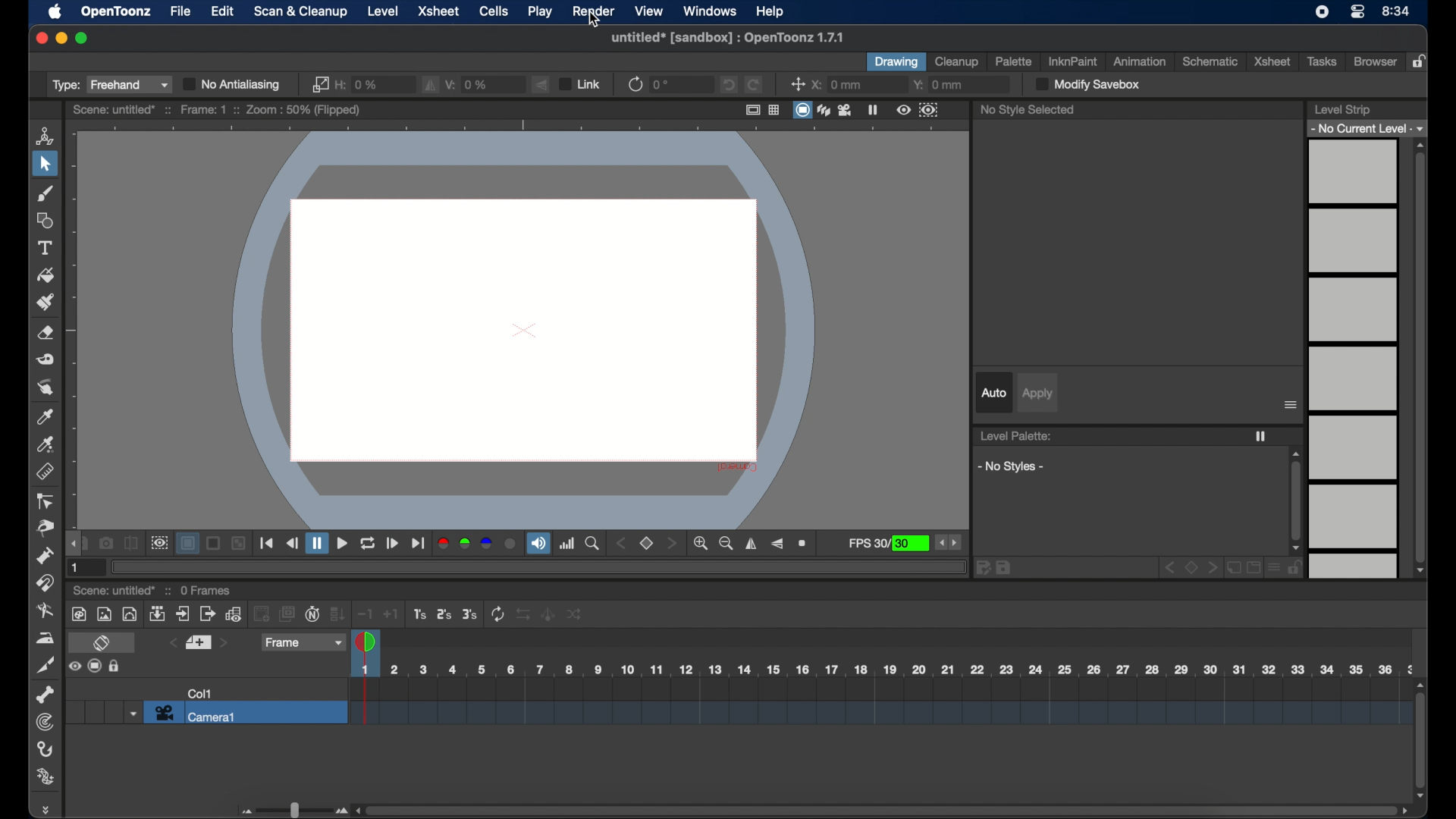 The width and height of the screenshot is (1456, 819). What do you see at coordinates (95, 666) in the screenshot?
I see `` at bounding box center [95, 666].